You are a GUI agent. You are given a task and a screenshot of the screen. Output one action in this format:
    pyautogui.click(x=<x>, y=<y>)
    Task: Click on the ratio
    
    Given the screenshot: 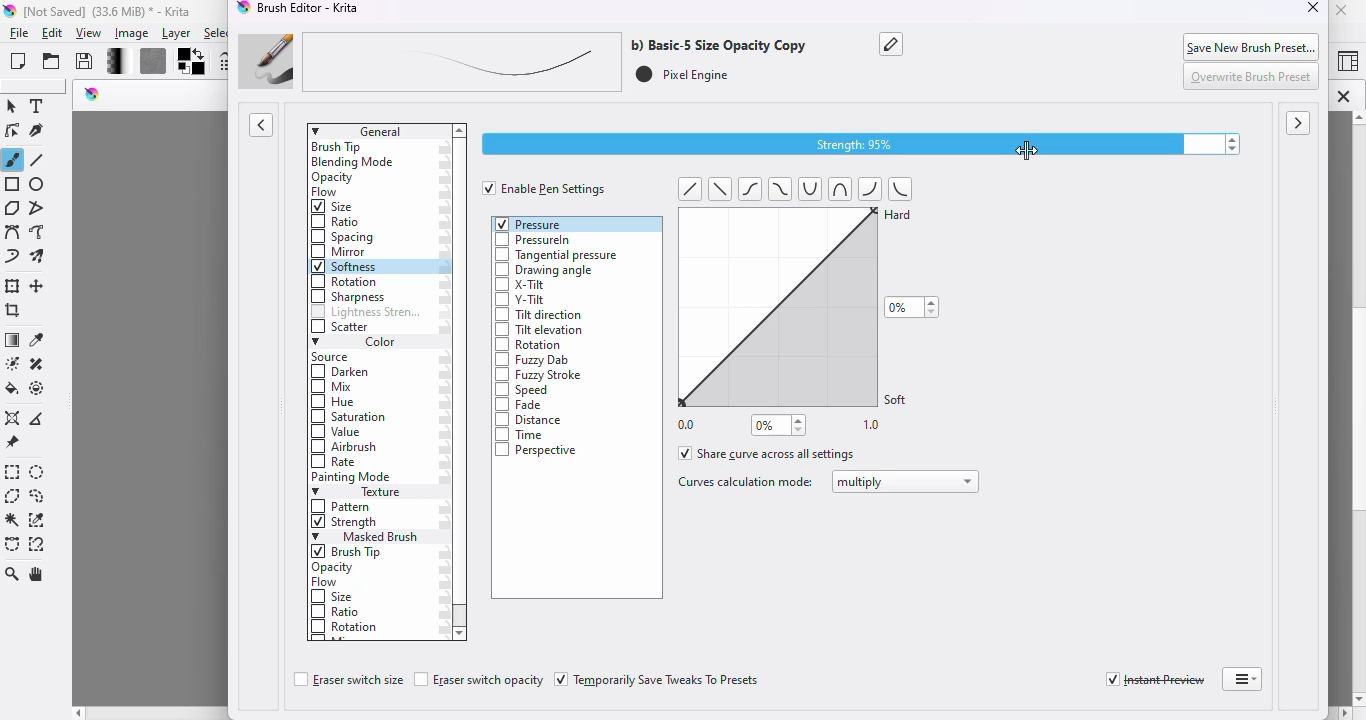 What is the action you would take?
    pyautogui.click(x=333, y=221)
    